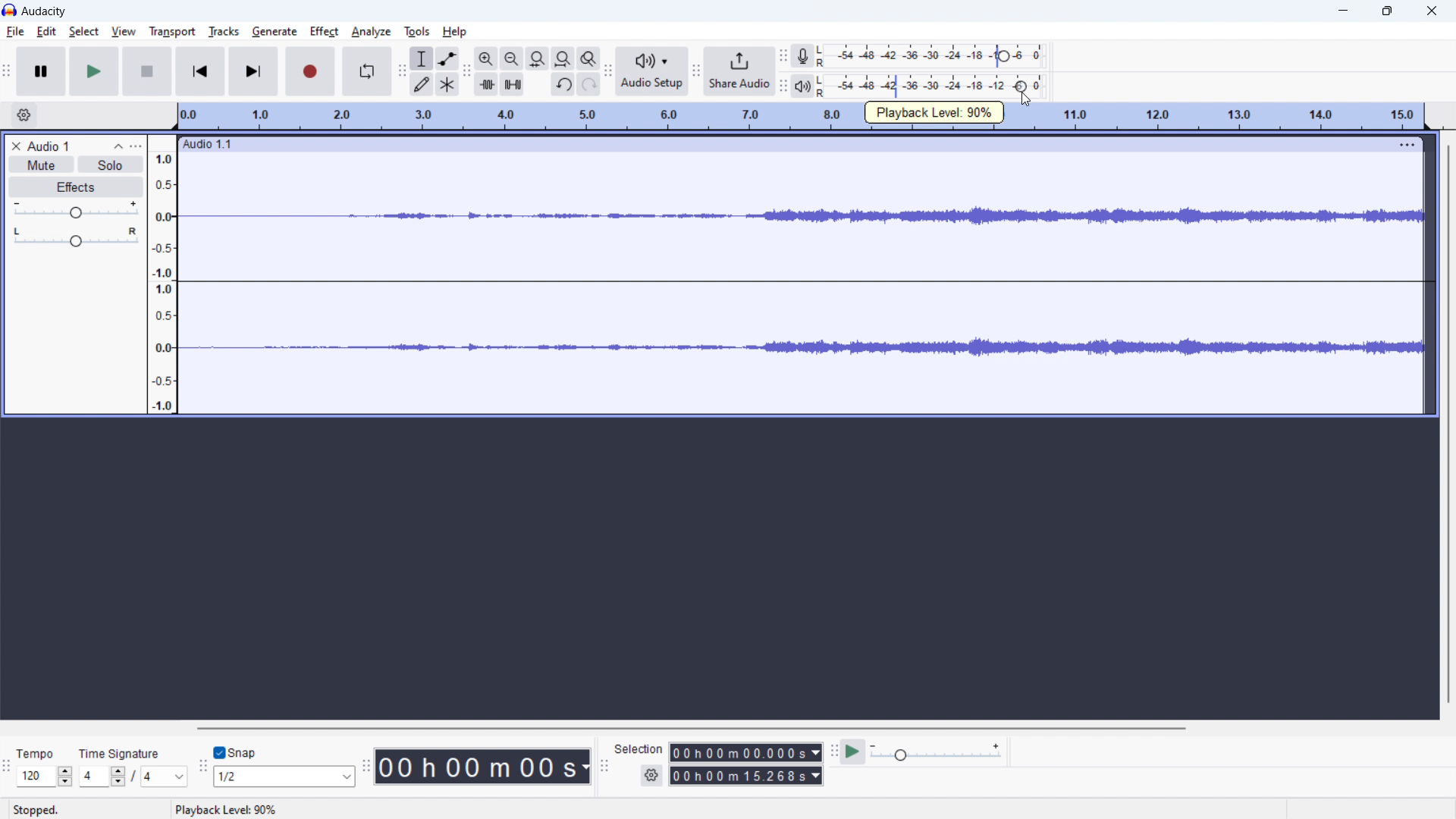 Image resolution: width=1456 pixels, height=819 pixels. I want to click on pause, so click(41, 71).